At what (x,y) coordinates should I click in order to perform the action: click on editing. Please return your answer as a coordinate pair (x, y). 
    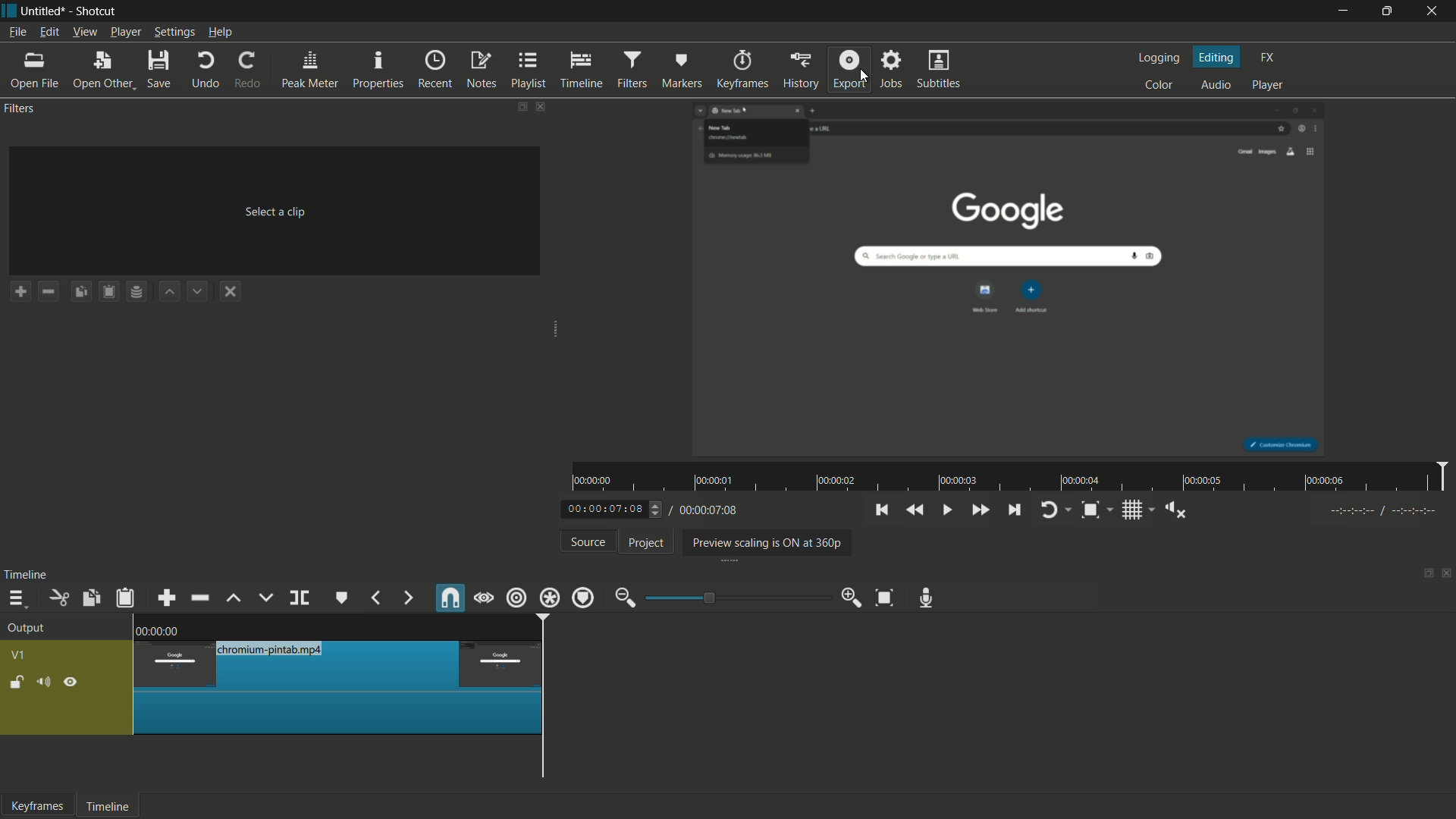
    Looking at the image, I should click on (1218, 58).